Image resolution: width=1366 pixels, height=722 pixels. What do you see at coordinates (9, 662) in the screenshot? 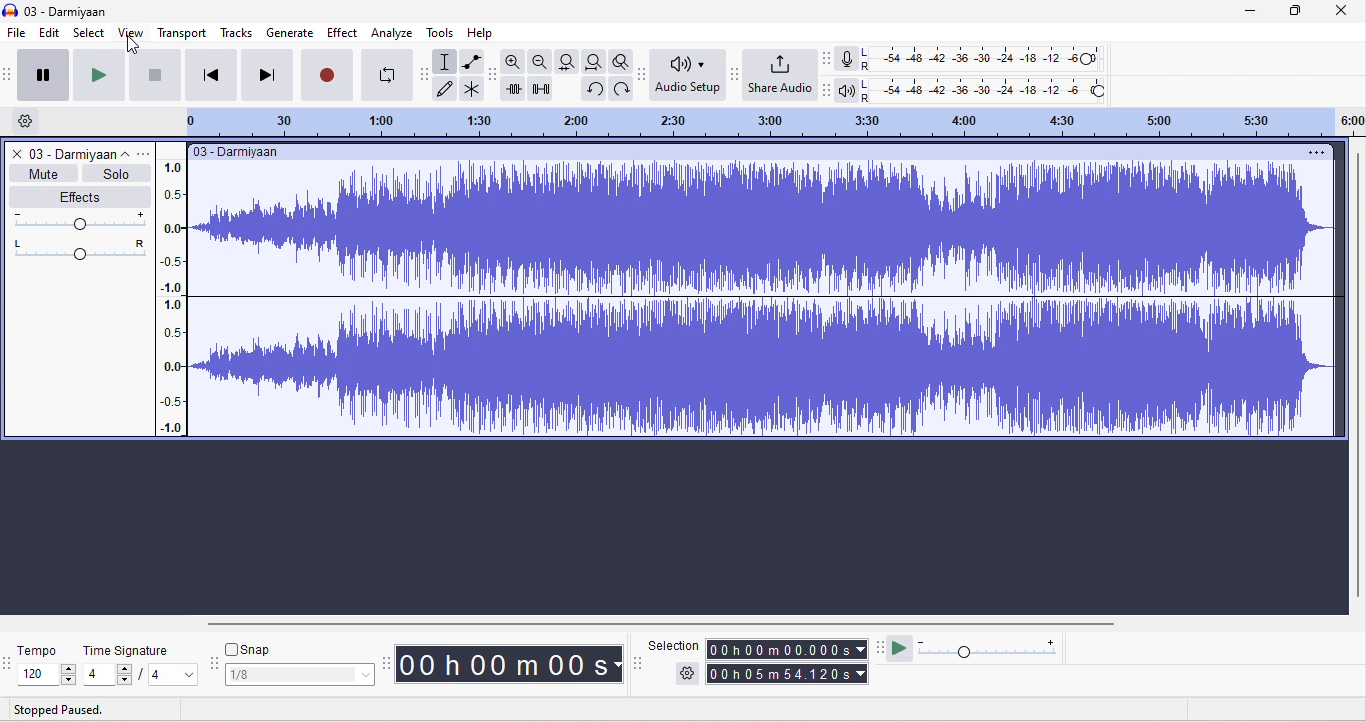
I see `tempo options` at bounding box center [9, 662].